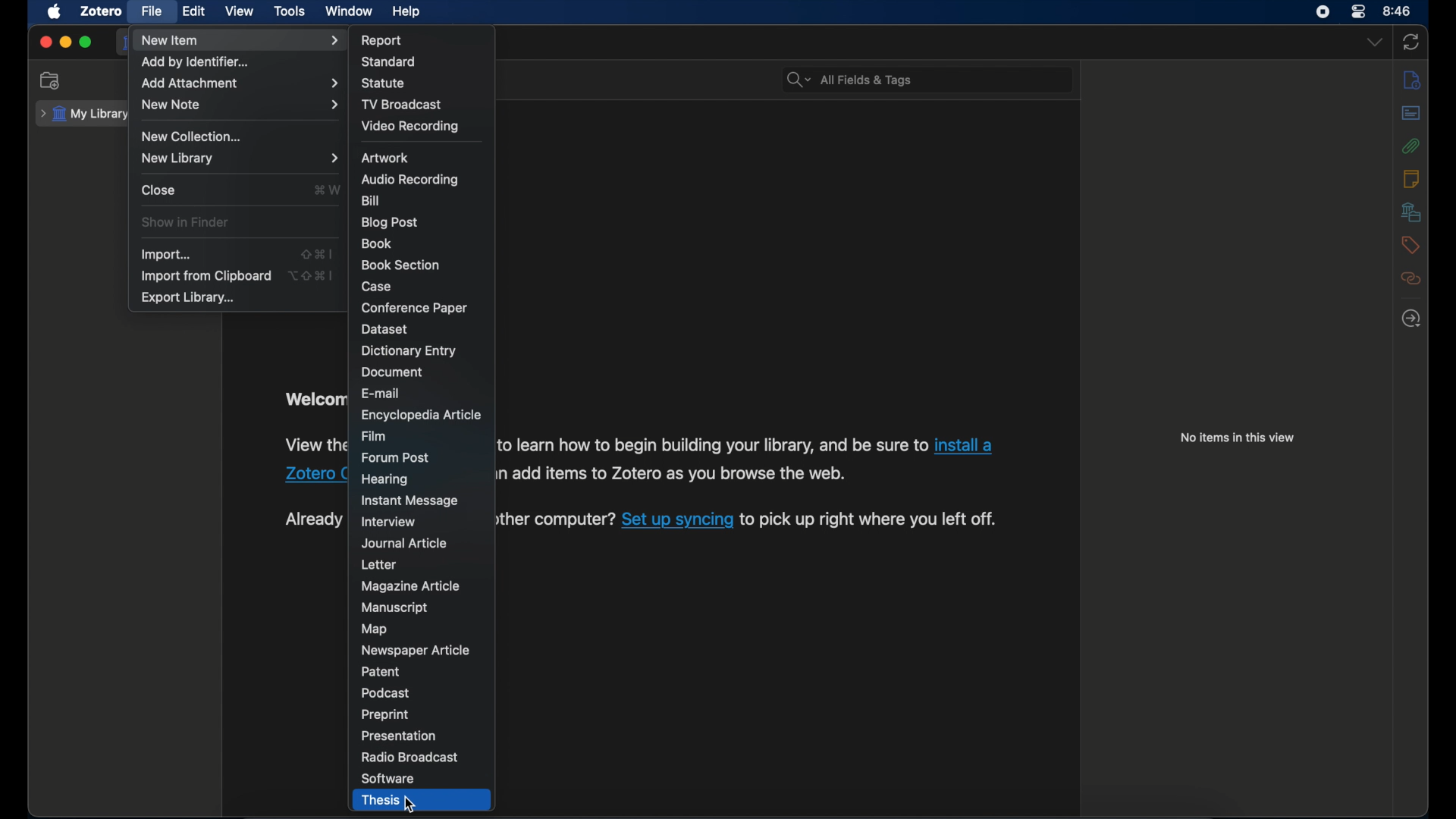 The image size is (1456, 819). What do you see at coordinates (206, 276) in the screenshot?
I see `import from clipboard` at bounding box center [206, 276].